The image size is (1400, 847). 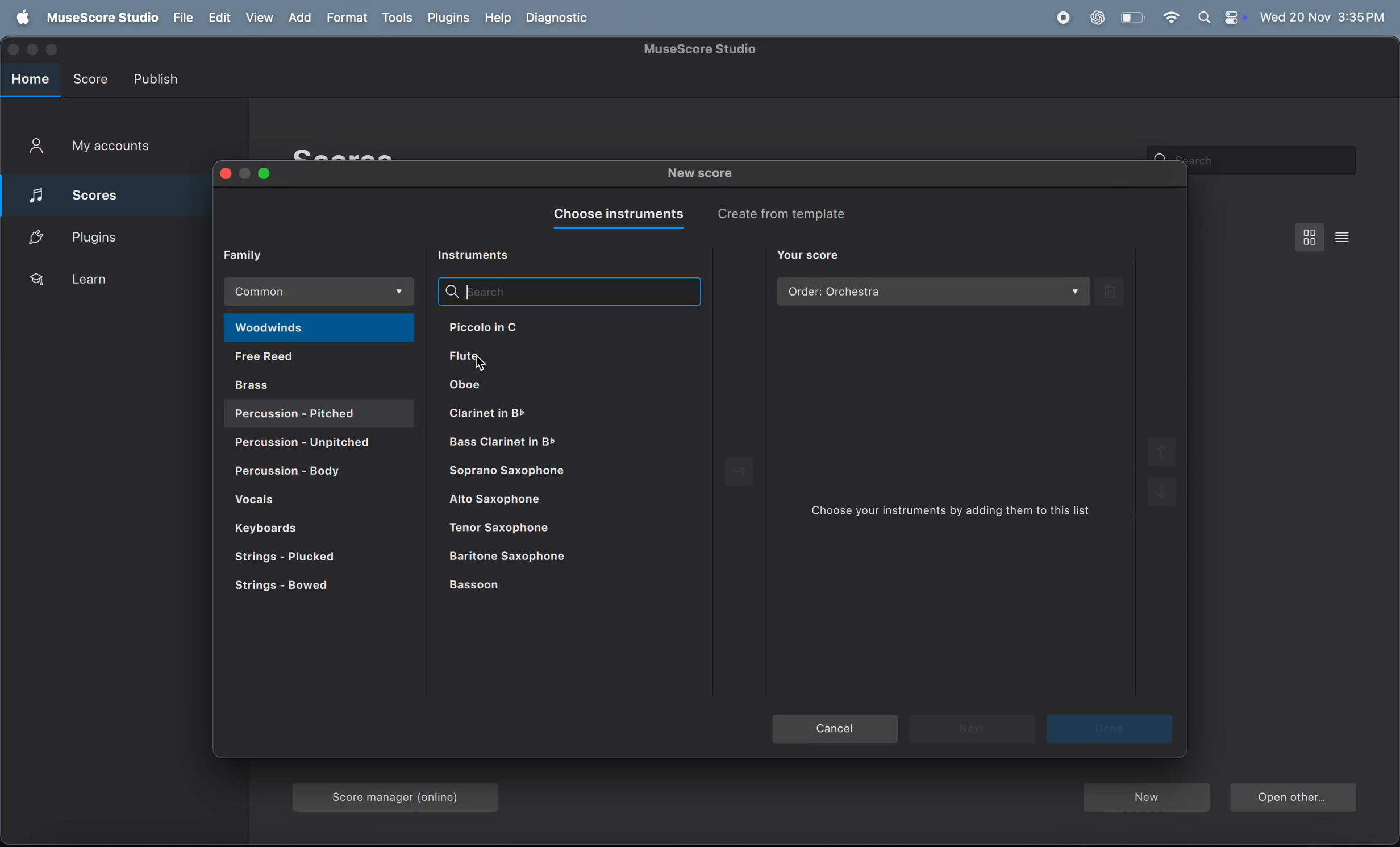 I want to click on chat gpt, so click(x=1098, y=18).